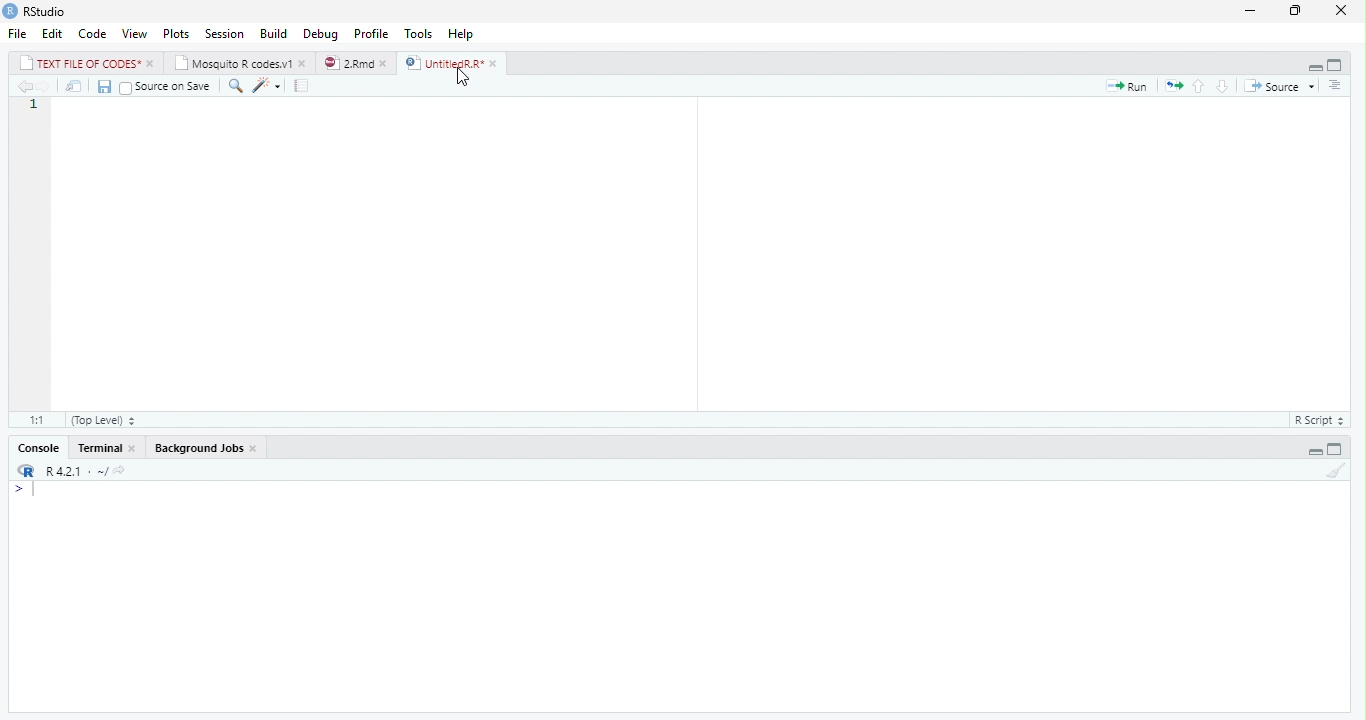  What do you see at coordinates (372, 33) in the screenshot?
I see `Profile` at bounding box center [372, 33].